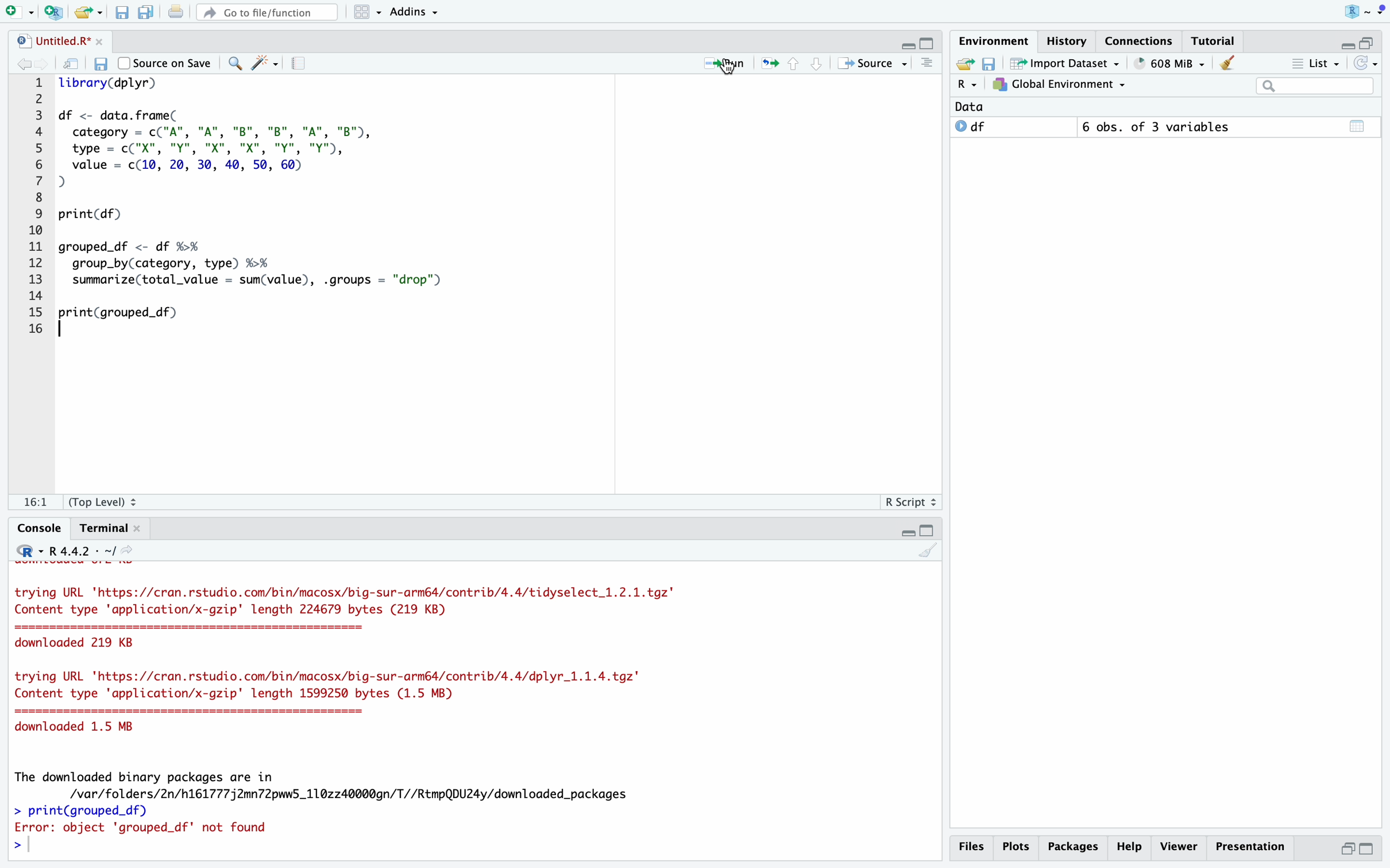 The image size is (1390, 868). Describe the element at coordinates (1068, 41) in the screenshot. I see `History` at that location.